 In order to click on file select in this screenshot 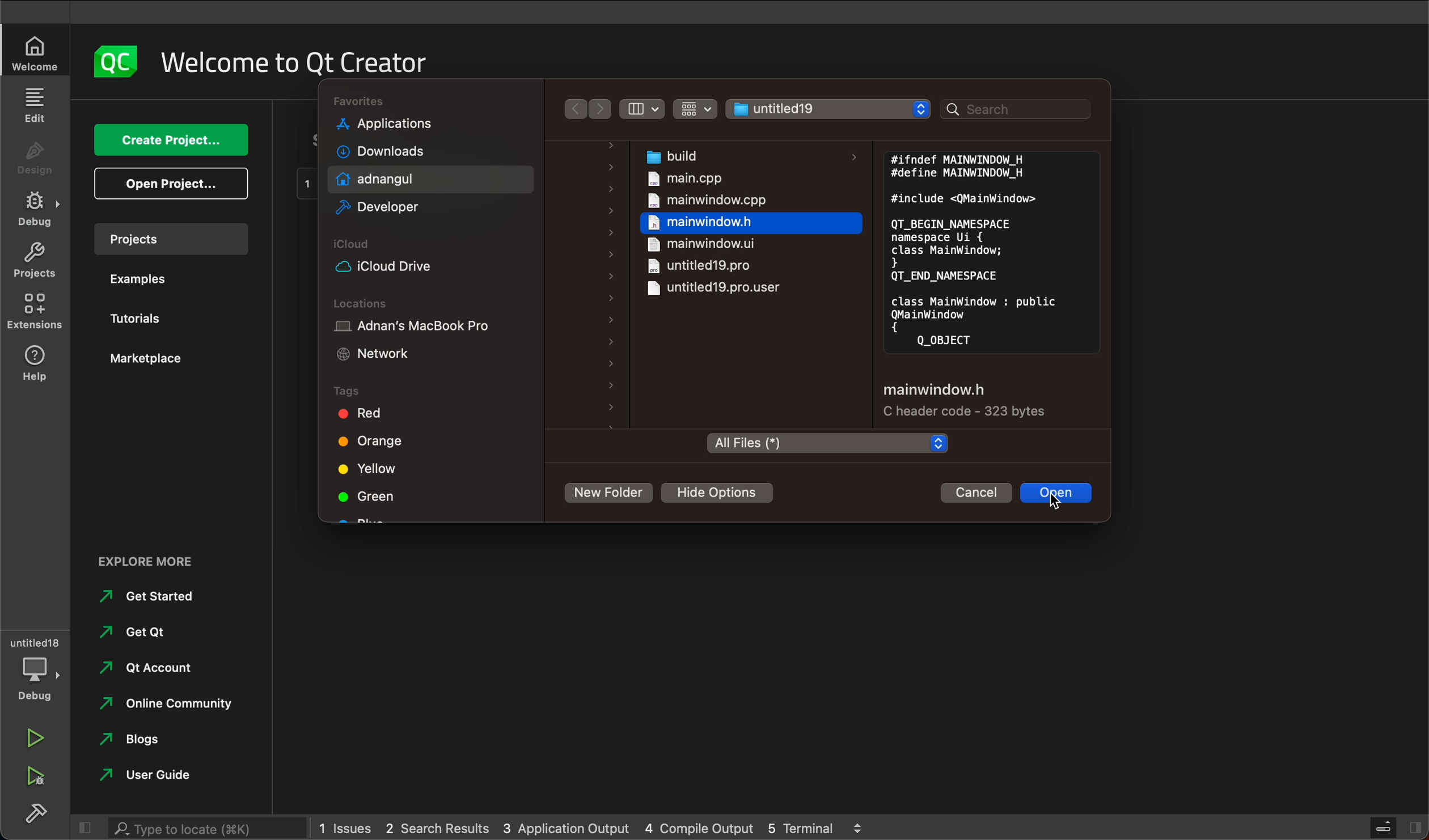, I will do `click(828, 109)`.